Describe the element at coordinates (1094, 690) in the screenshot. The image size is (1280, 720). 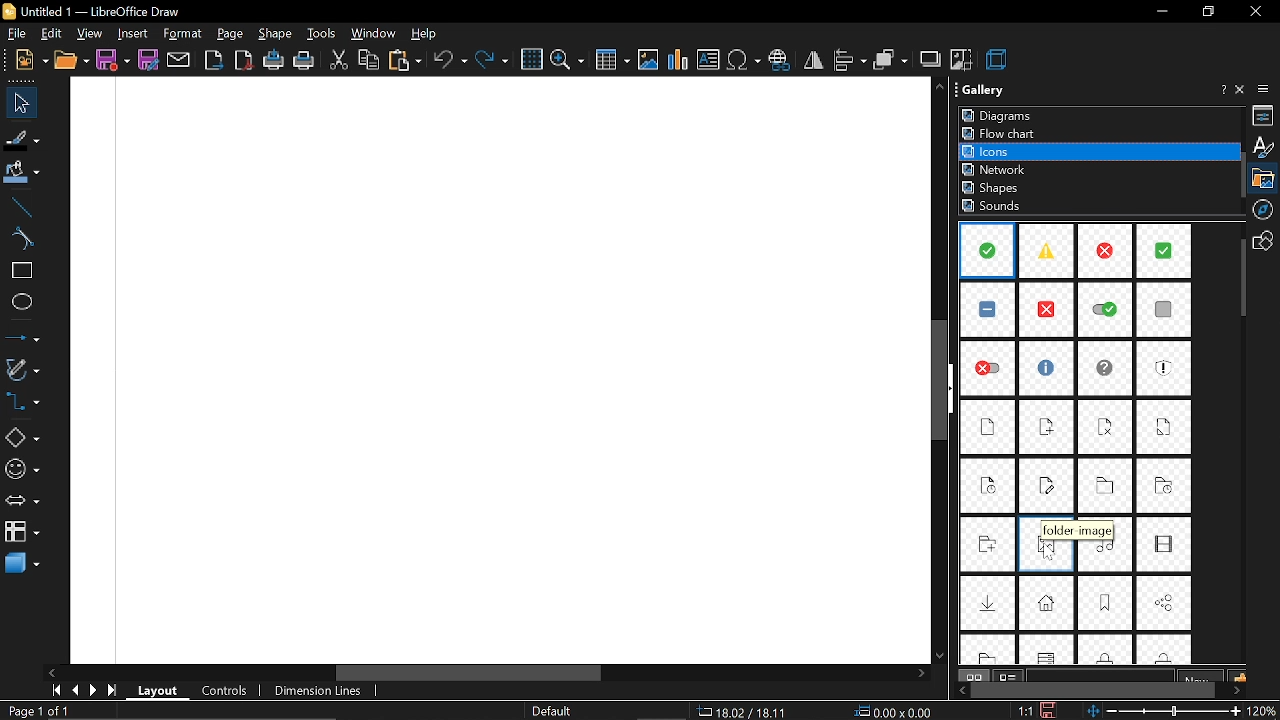
I see `horizontal scrollbar` at that location.